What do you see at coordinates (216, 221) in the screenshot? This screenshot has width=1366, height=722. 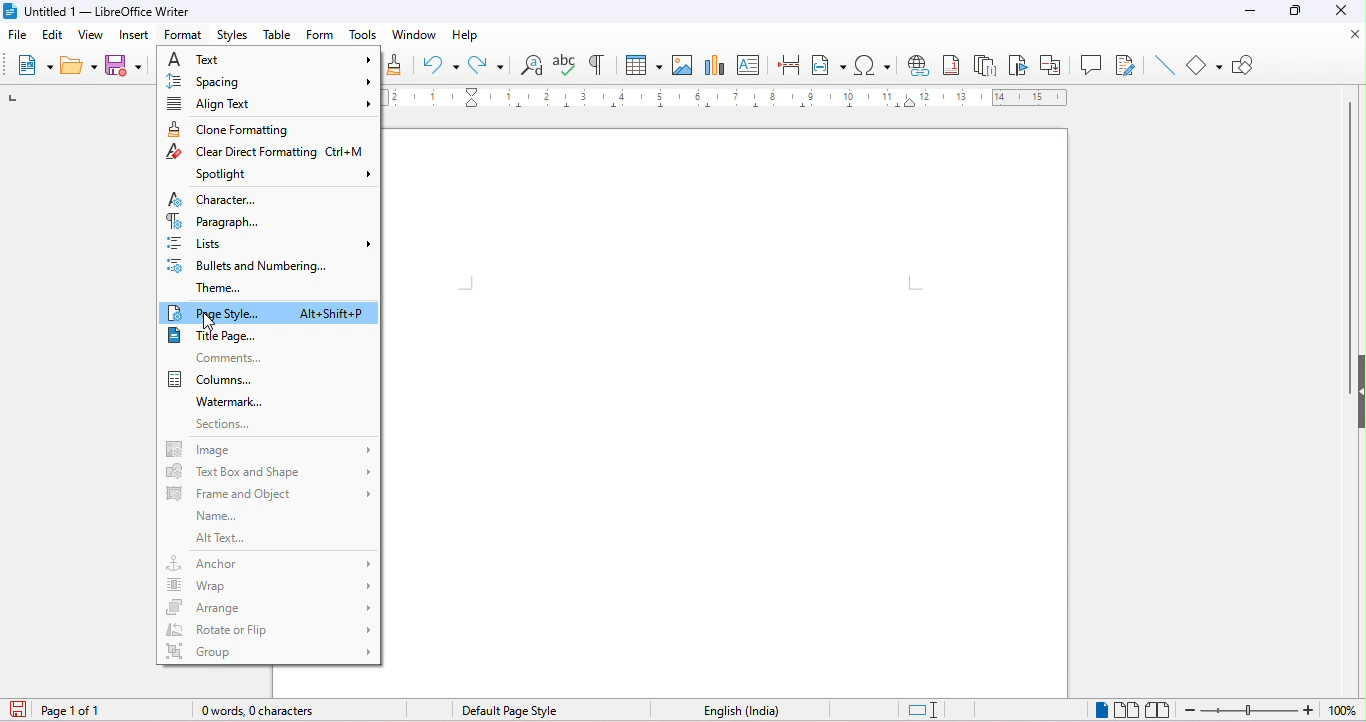 I see `paragraph` at bounding box center [216, 221].